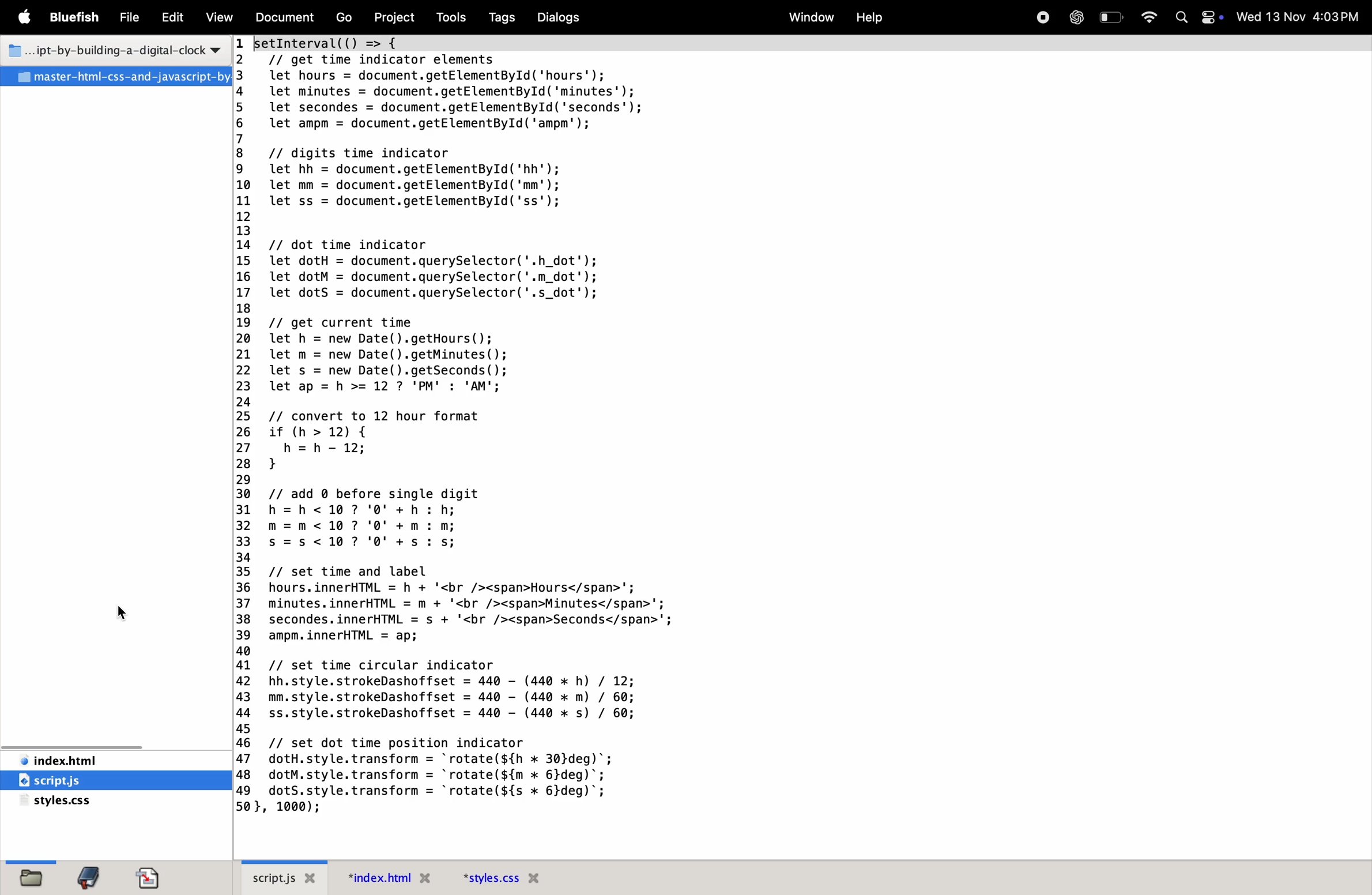  What do you see at coordinates (453, 426) in the screenshot?
I see `CLAIRE T VU = 4
// get time indicator elements
let hours = document.getElementById('hours');
let minutes = document.getElementById('minutes');
let secondes = document.getElementById('seconds');
let ampm = document.getElementById('ampm');
// digits time indicator
let hh = document.getElementById('hh');
let mm = document.getElementById('mm');
let ss = document.getElementById('ss');
// dot time indicator
let dotH = document.querySelector('.h_dot"');
let dotM = document.querySelector('.m_dot"');
let dotS = document.querySelector('.s_dot');
// get current time
let h = new Date().getHours();
let m = new Date().getMinutes();
let s = new Date().getSeconds();
let ap = h >= 12 ? 'PM' : 'AM';
// convert to 12 hour format
if (h > 12) {
h =h - 12;
}
// add @ before single digit
h=h<10 7? '0" + h : h;
m=m<10 7? '0' +m : m;
s=s5s<107? '0' +s : s;
// set time and label
hours.innerHTML = h + '<br /><span>Hours</span>';
minutes.innerHTML = m + '<br /><span>Minutes</span>
secondes.innerHTML = s + '<br /><span>Seconds</span
ampm. innerHTML = ap;
// set time circular indicator
hh.style.strokeDashoffset = 440 — (440 x h) / 12;
mm.style.strokeDashoffset = 440 - (440 x m) / 60;
ss.style.strokeDashoffset = 440 - (440 x s) / 60;
// set dot time position indicator
dotH.style.transform = “rotate(${h x 30}deg);
dotM.style.transform = “rotate(${m * 6}deg)’;
dotS.style.transform = “rotate(${s * 6}deg)’;
1000):` at bounding box center [453, 426].